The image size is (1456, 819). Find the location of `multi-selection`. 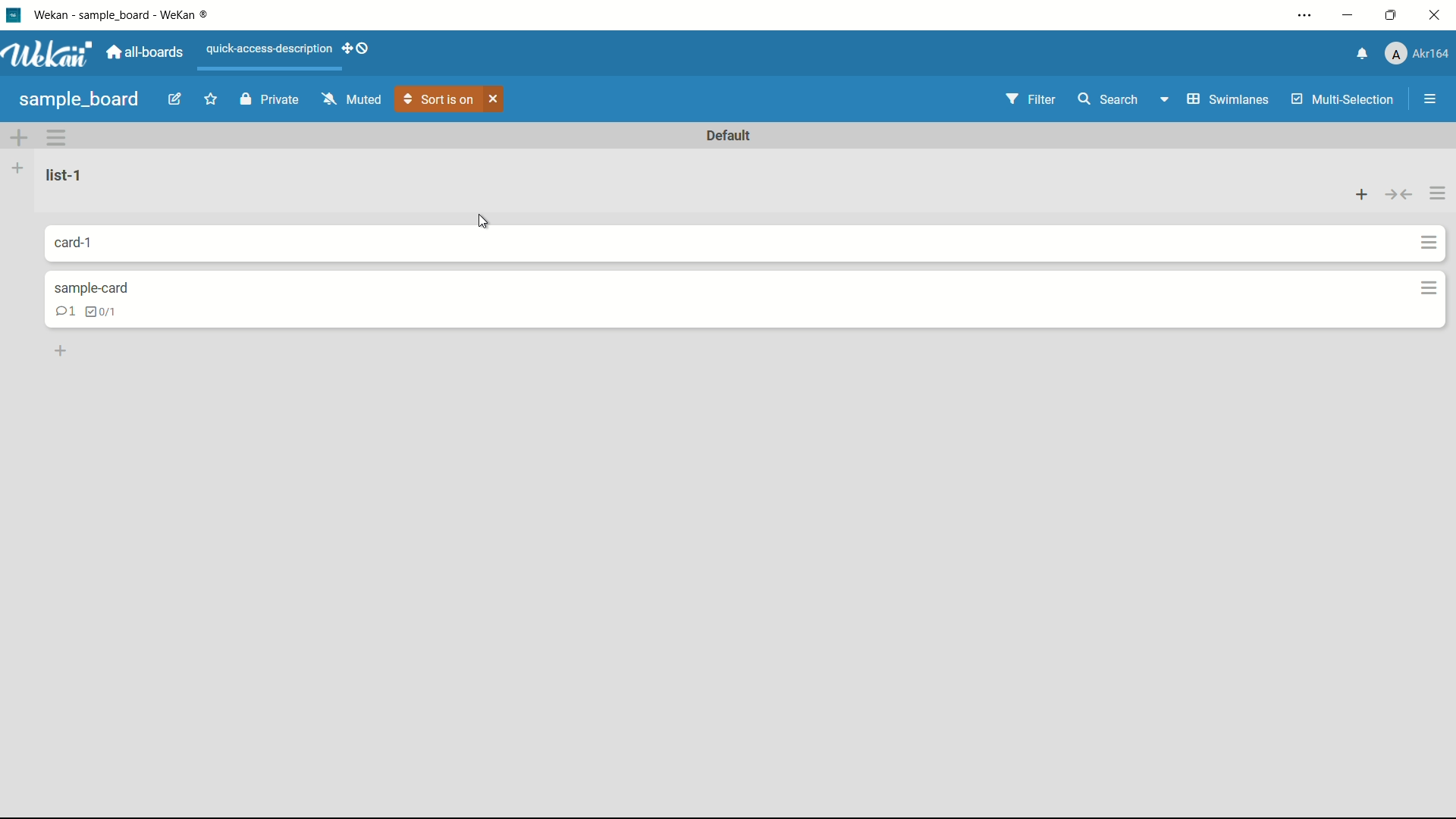

multi-selection is located at coordinates (1344, 100).